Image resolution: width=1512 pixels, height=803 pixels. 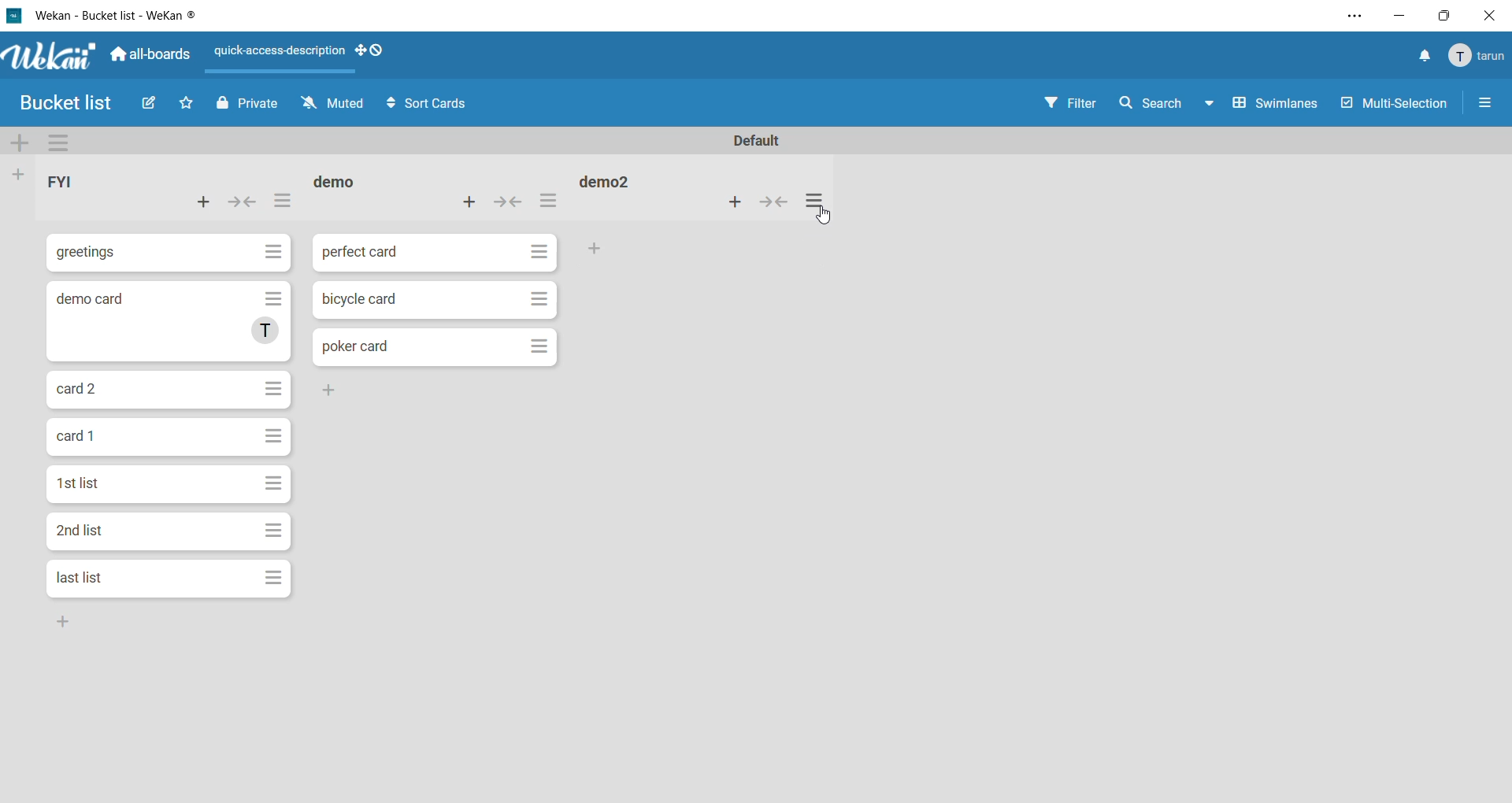 What do you see at coordinates (443, 105) in the screenshot?
I see `Sort Cards` at bounding box center [443, 105].